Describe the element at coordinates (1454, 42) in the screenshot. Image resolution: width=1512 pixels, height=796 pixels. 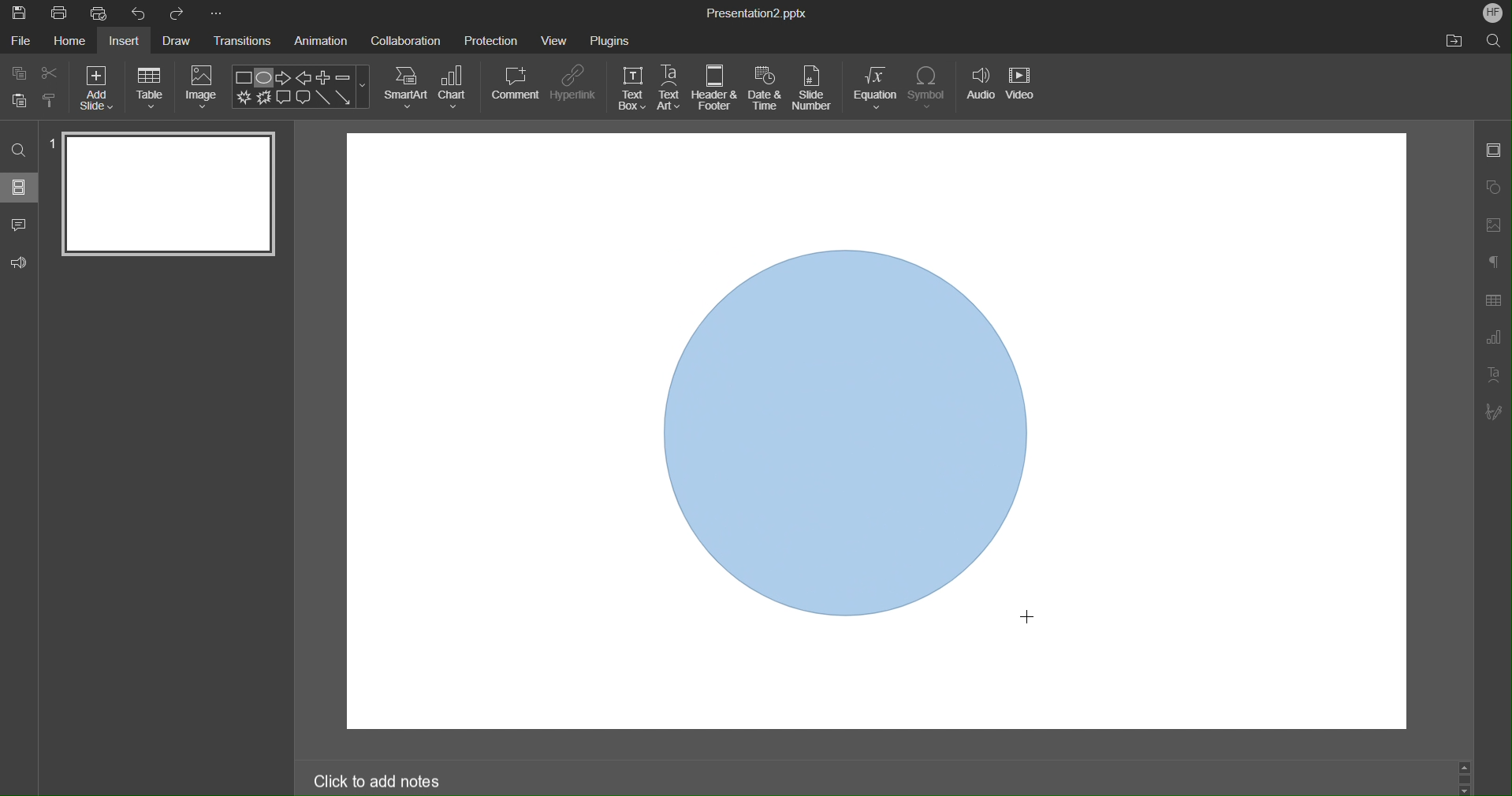
I see `Open File Location` at that location.